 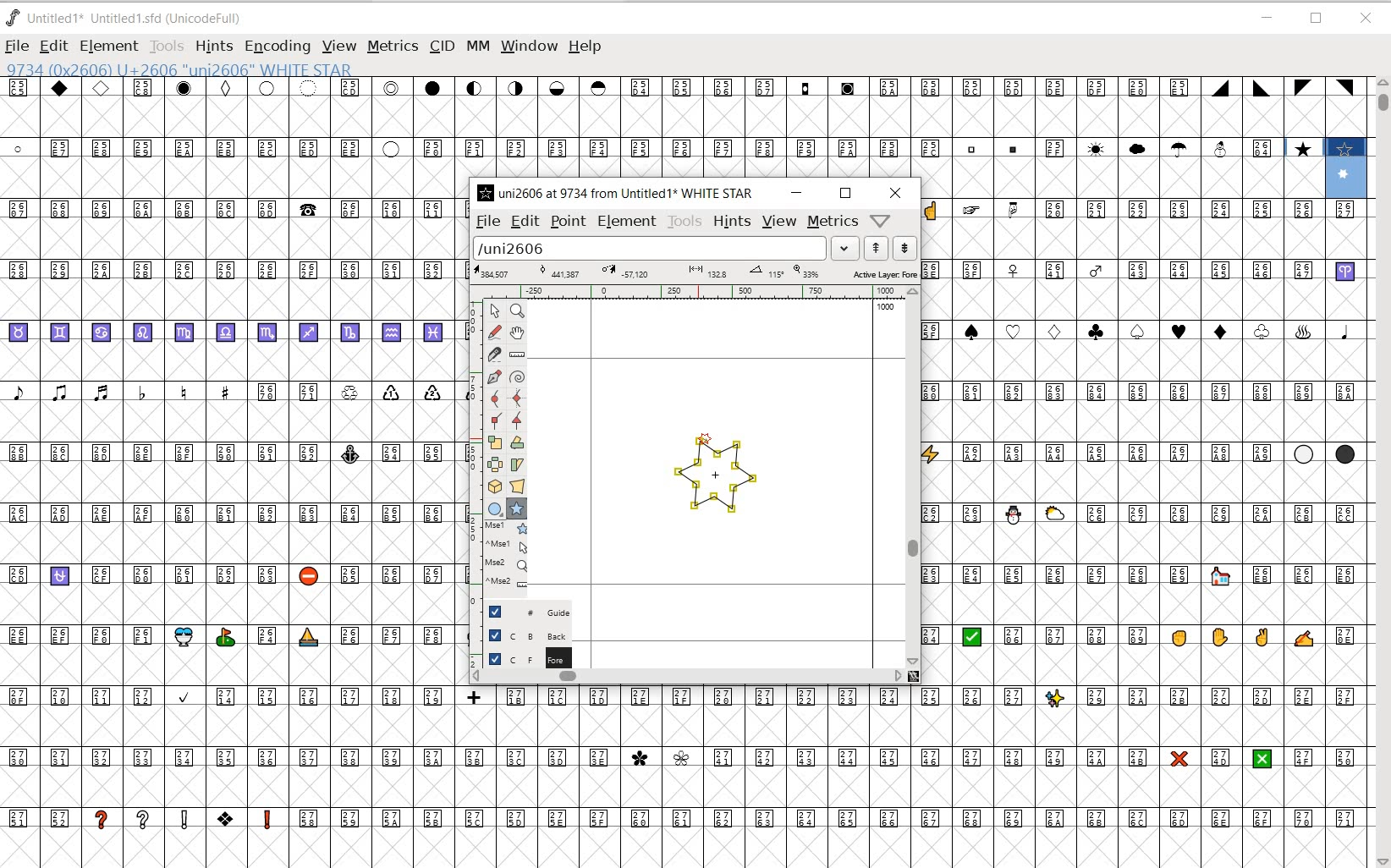 I want to click on POINTER, so click(x=493, y=310).